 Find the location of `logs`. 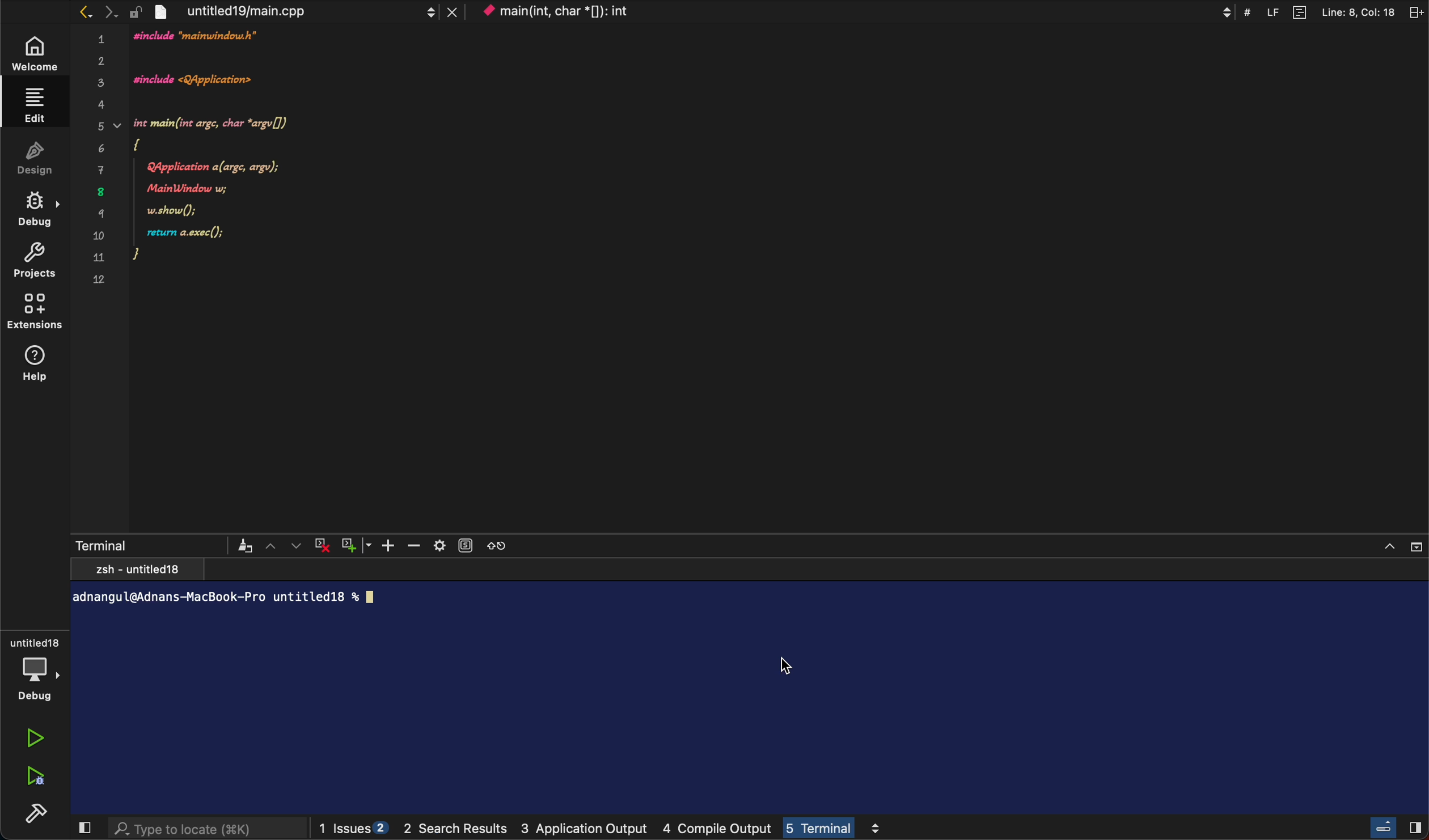

logs is located at coordinates (605, 824).